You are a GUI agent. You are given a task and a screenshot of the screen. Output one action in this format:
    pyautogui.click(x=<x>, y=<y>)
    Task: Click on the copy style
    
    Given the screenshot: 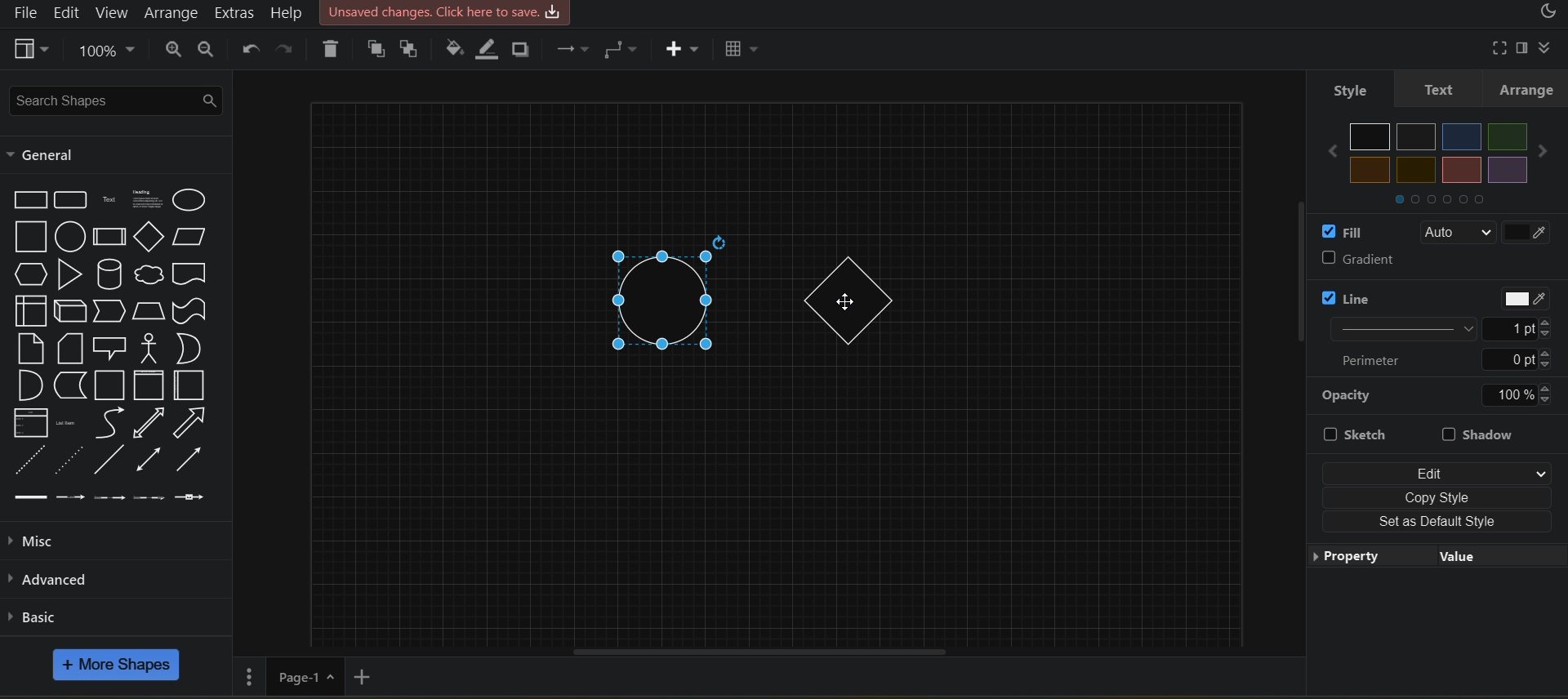 What is the action you would take?
    pyautogui.click(x=1434, y=500)
    